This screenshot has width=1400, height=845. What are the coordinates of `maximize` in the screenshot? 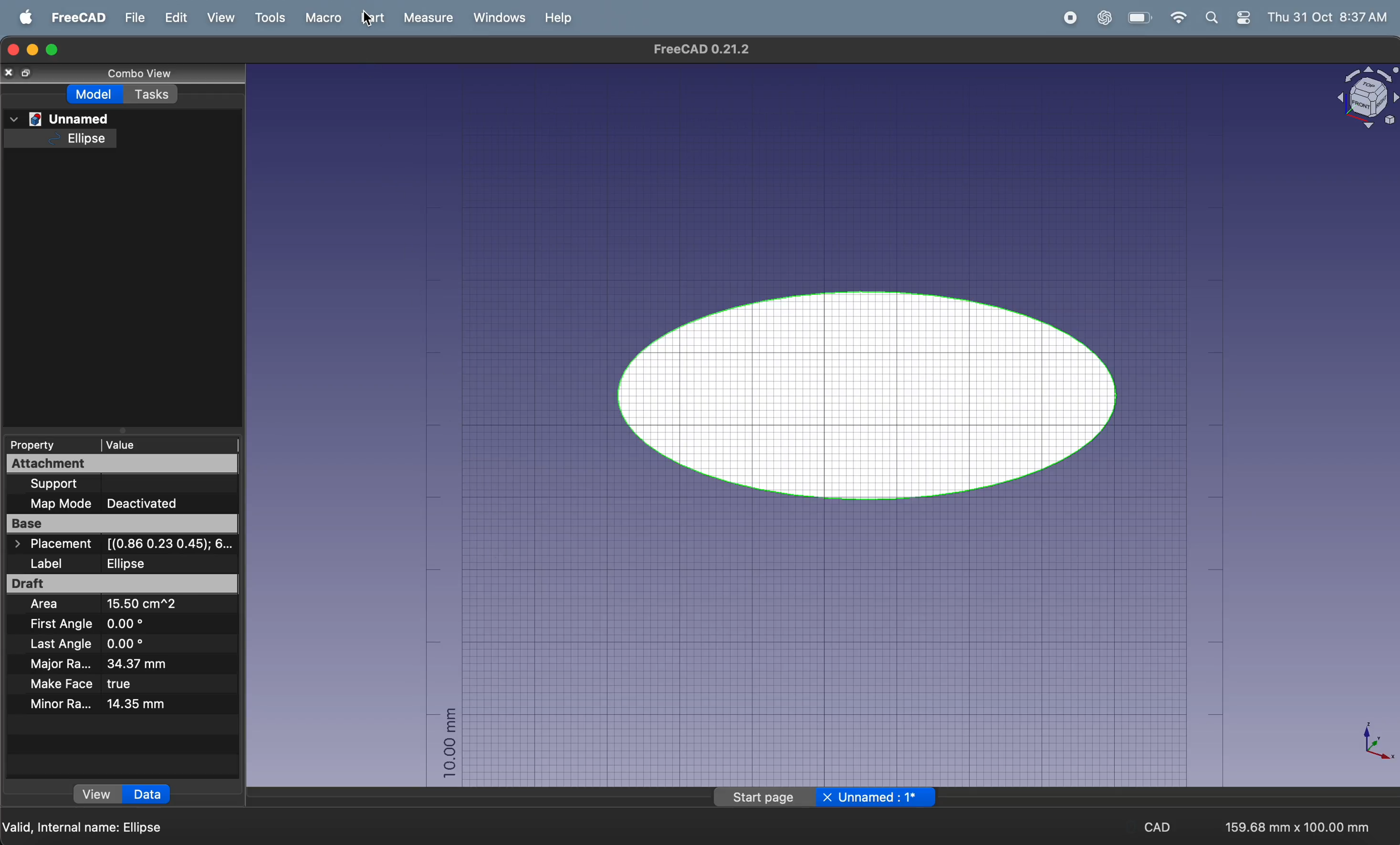 It's located at (56, 49).